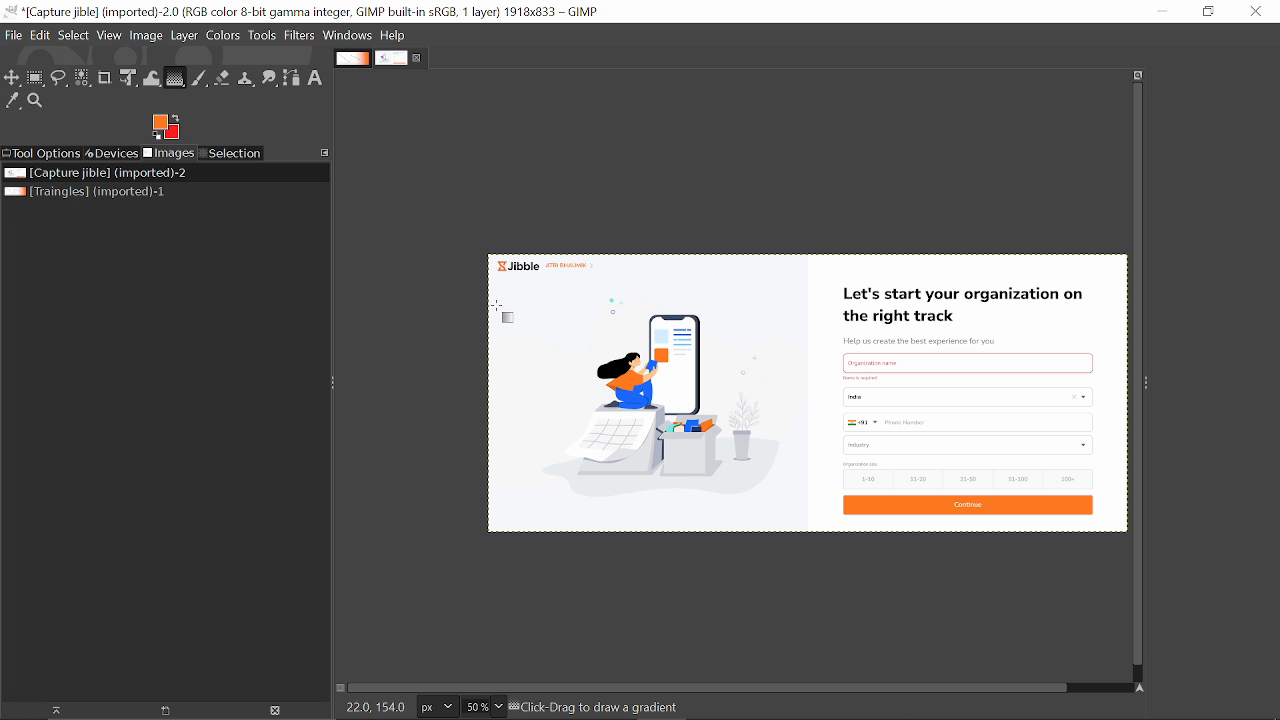 The image size is (1280, 720). Describe the element at coordinates (14, 34) in the screenshot. I see `File` at that location.